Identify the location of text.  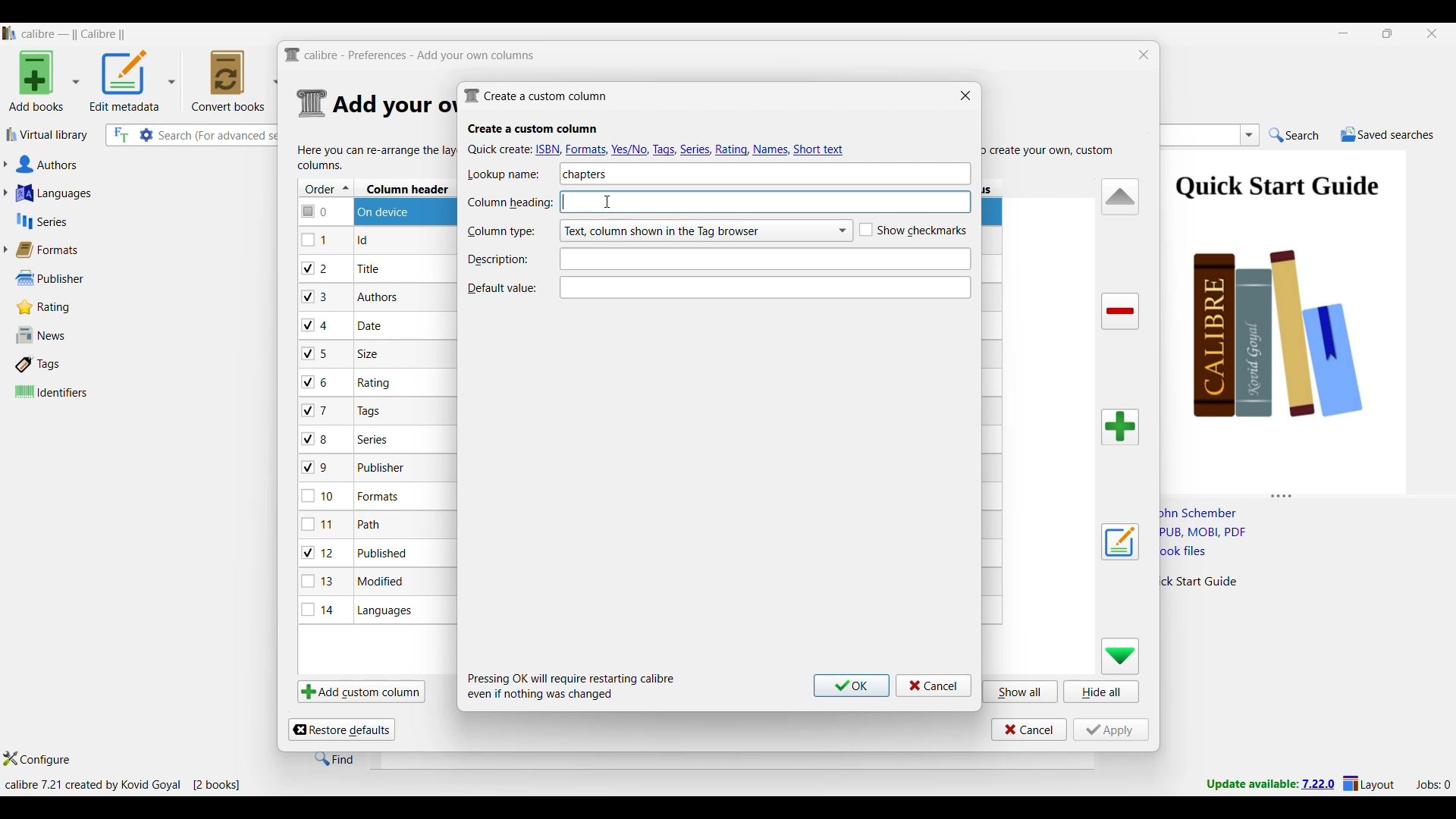
(799, 203).